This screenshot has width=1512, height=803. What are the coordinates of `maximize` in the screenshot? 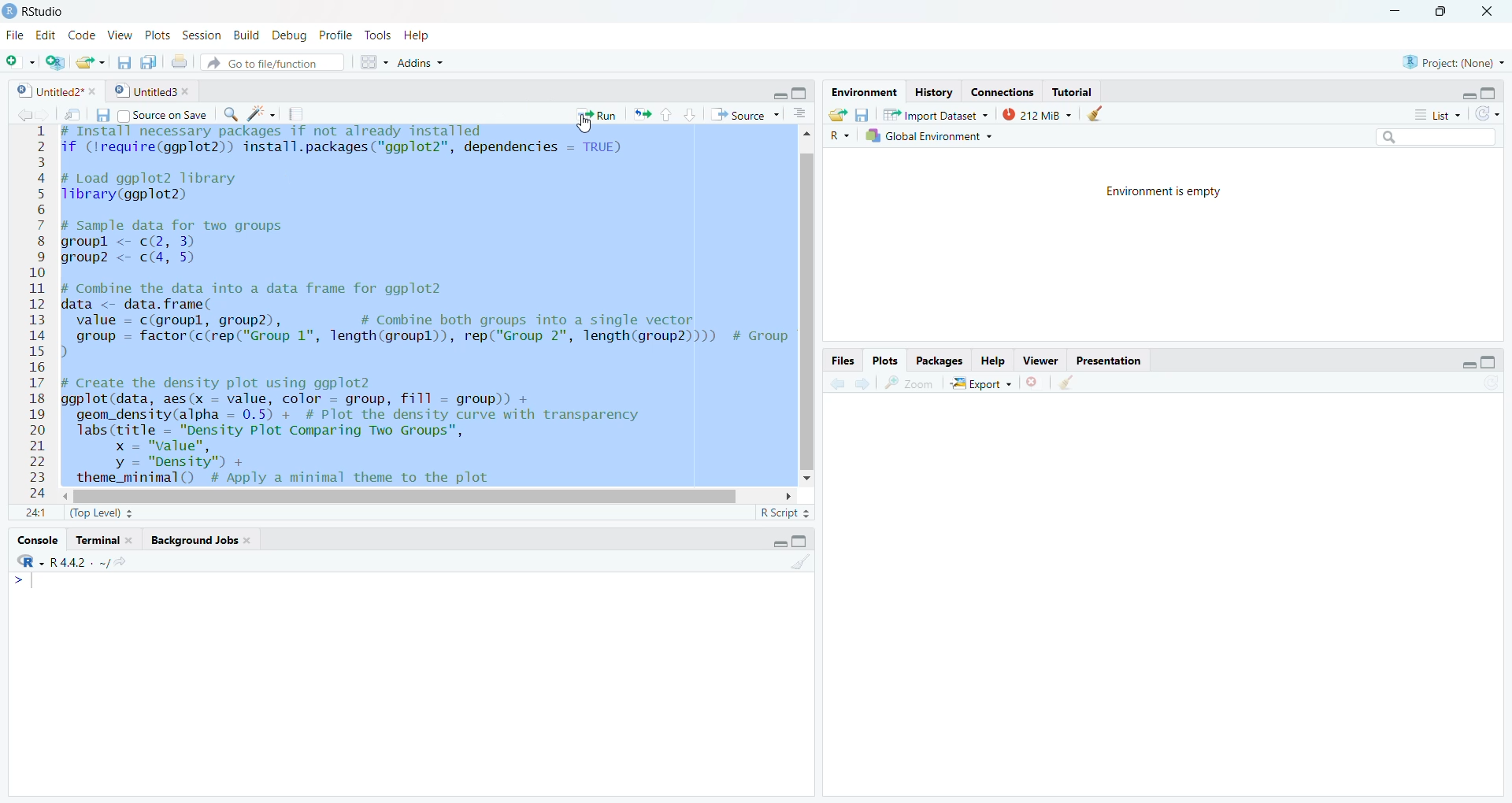 It's located at (803, 96).